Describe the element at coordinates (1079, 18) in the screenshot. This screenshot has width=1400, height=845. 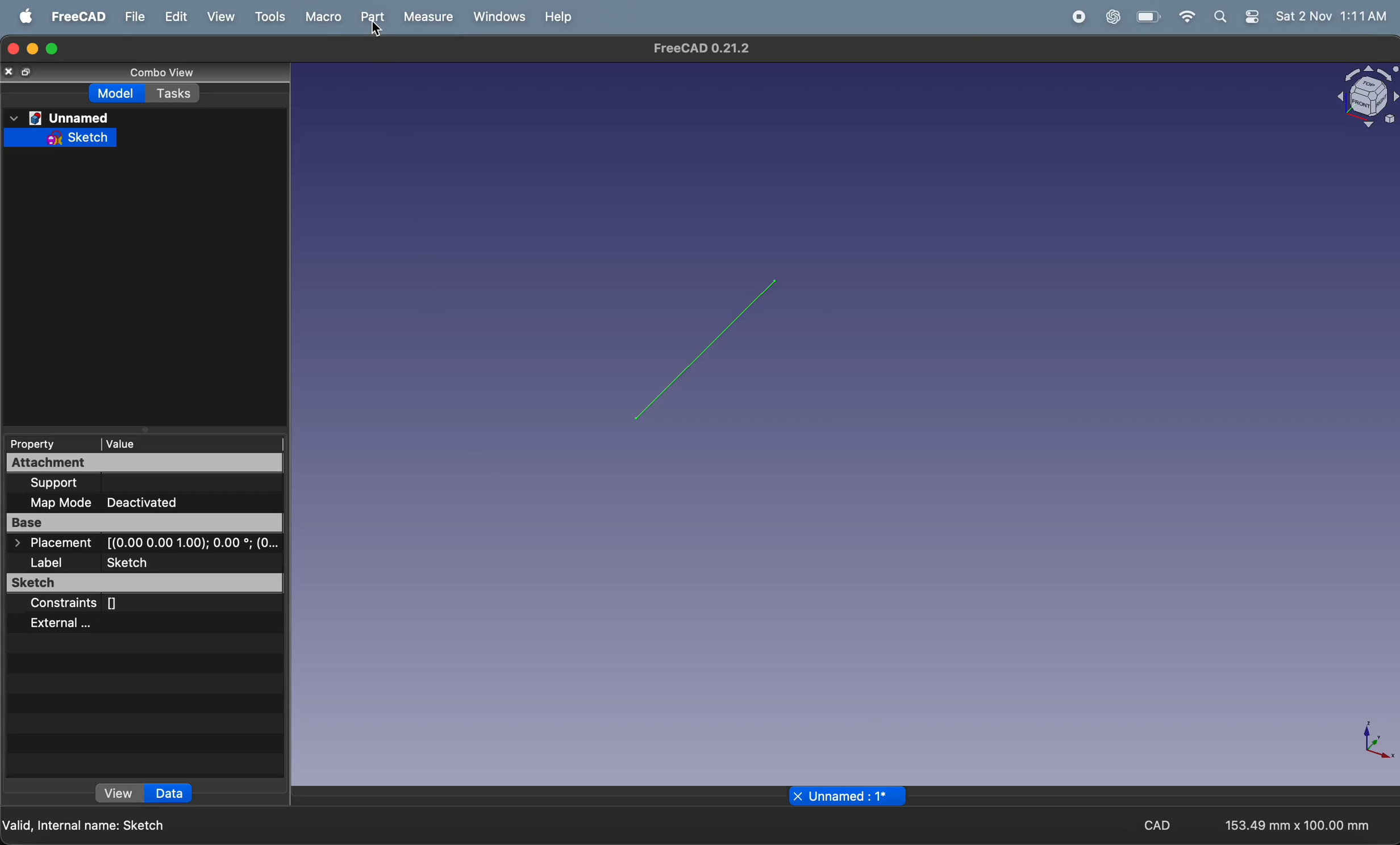
I see `record` at that location.